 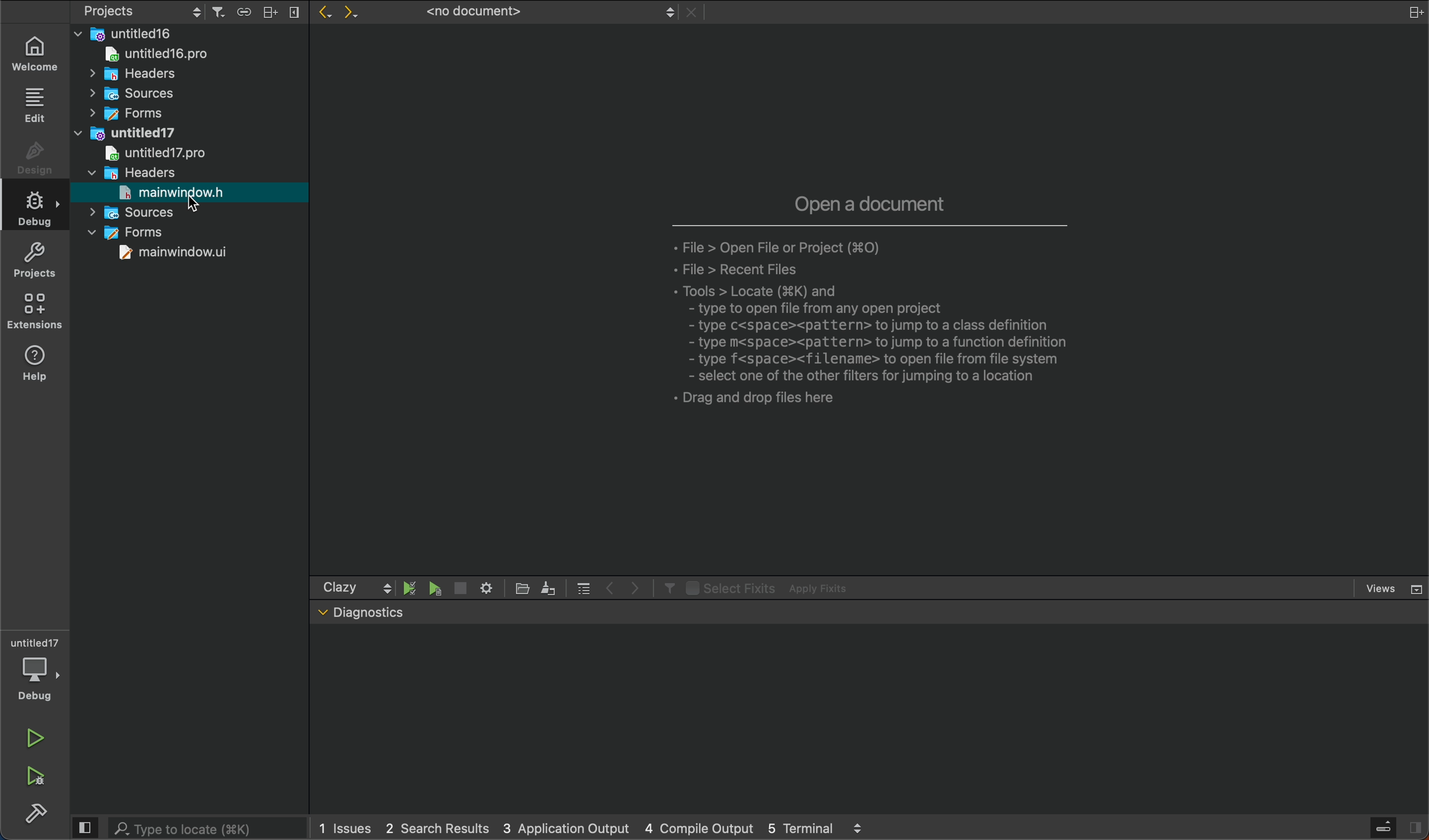 I want to click on resume, so click(x=436, y=589).